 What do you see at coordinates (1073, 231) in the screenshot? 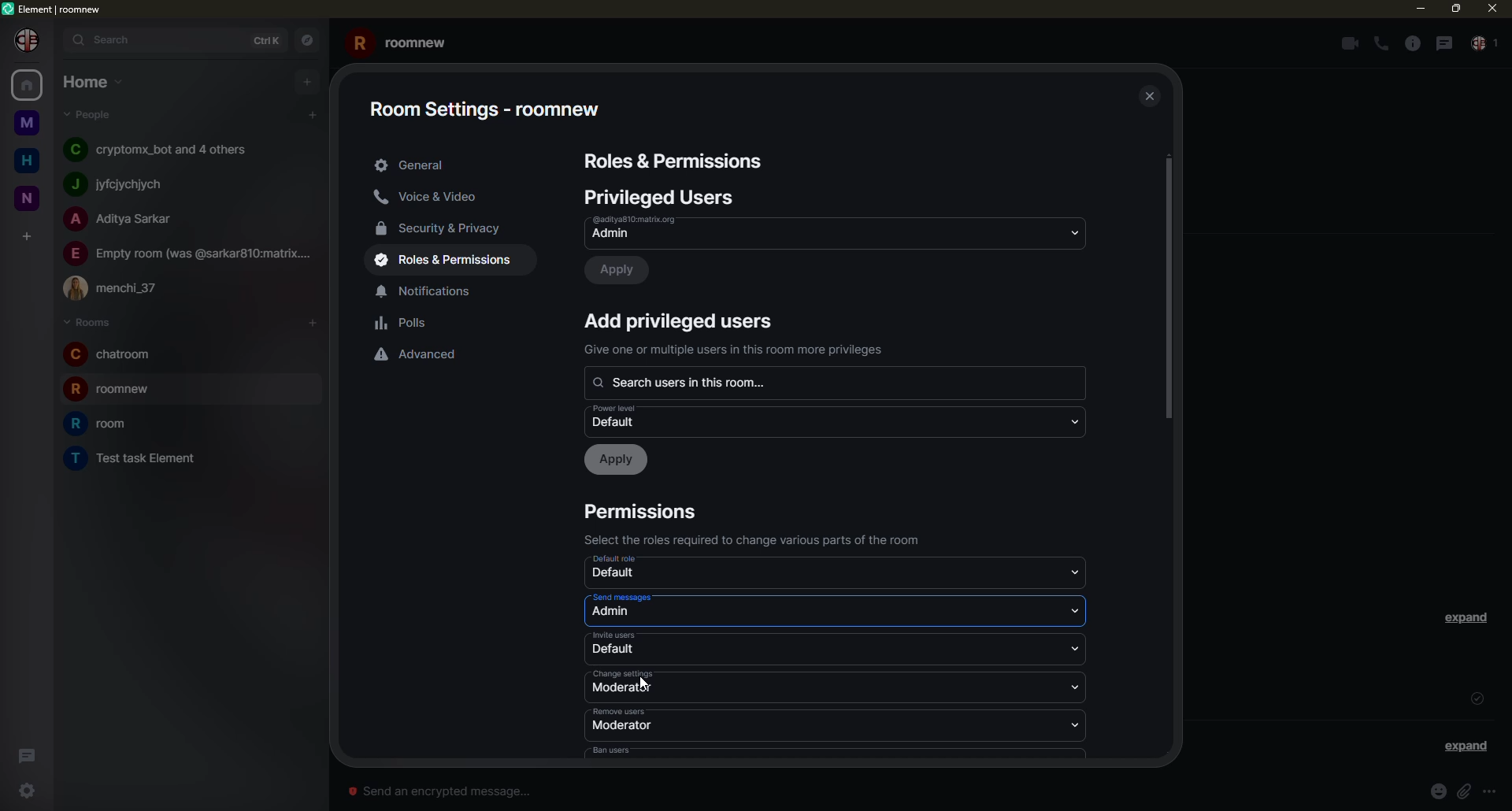
I see `drop` at bounding box center [1073, 231].